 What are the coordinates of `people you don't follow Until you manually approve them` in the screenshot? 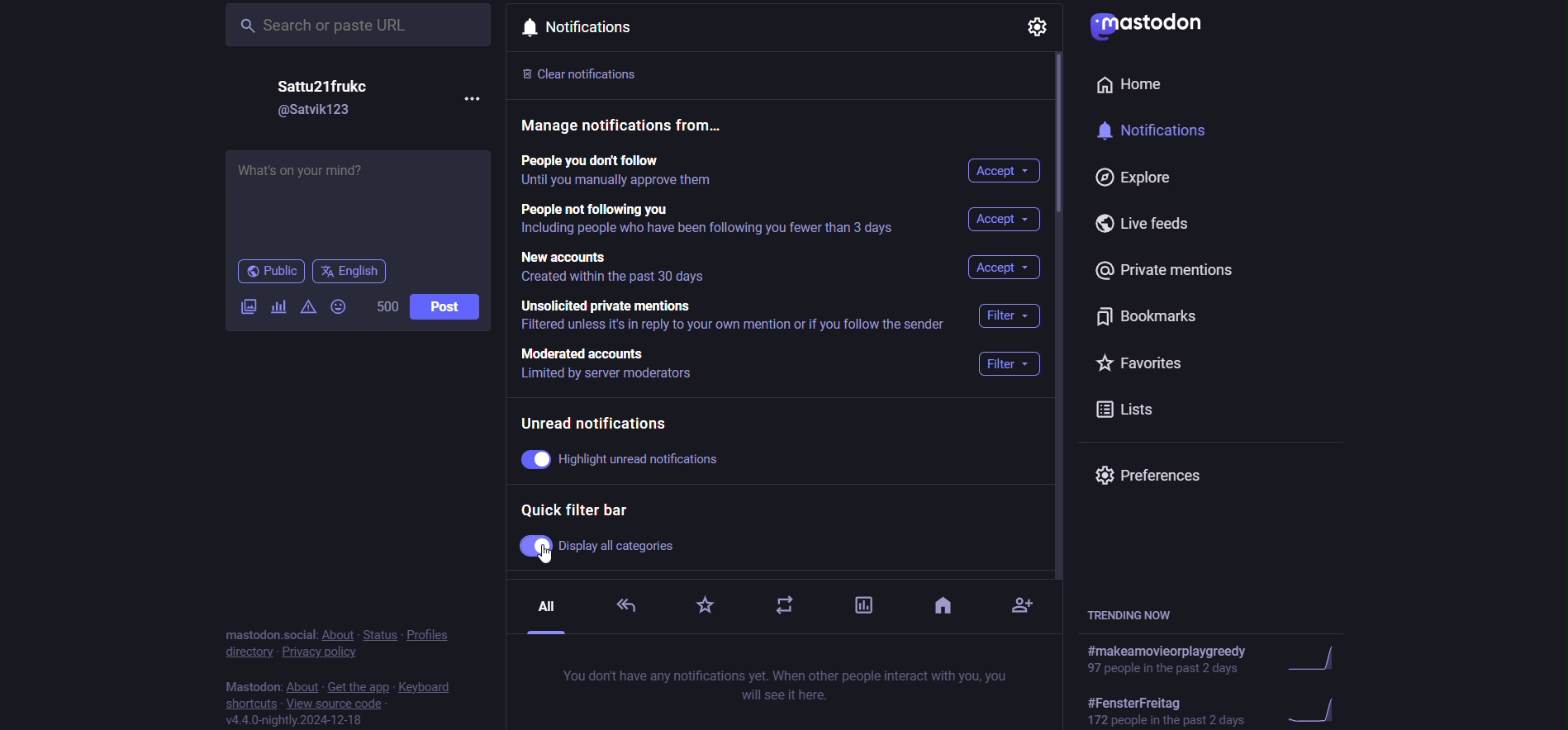 It's located at (614, 170).